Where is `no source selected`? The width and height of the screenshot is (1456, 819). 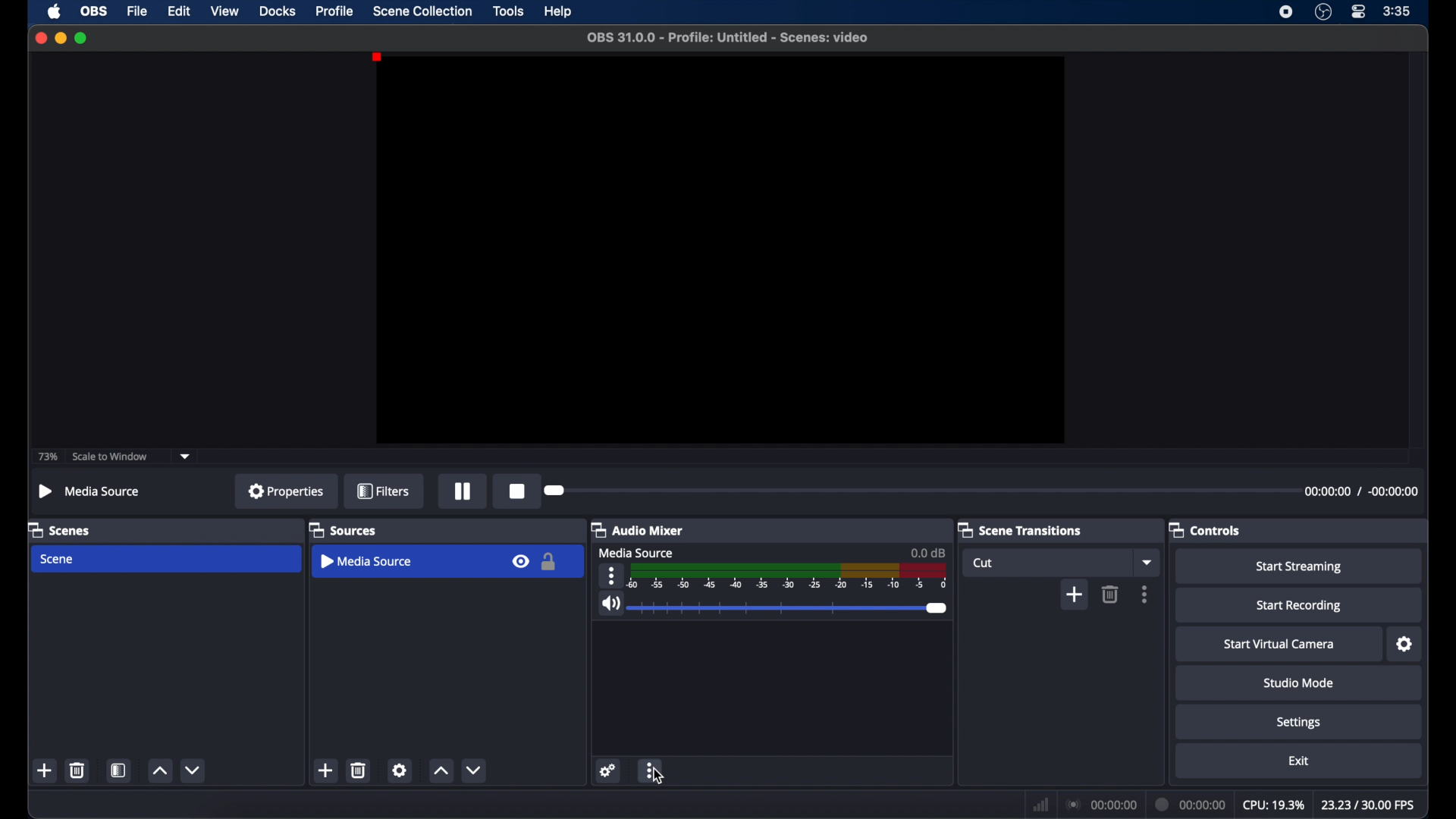 no source selected is located at coordinates (90, 492).